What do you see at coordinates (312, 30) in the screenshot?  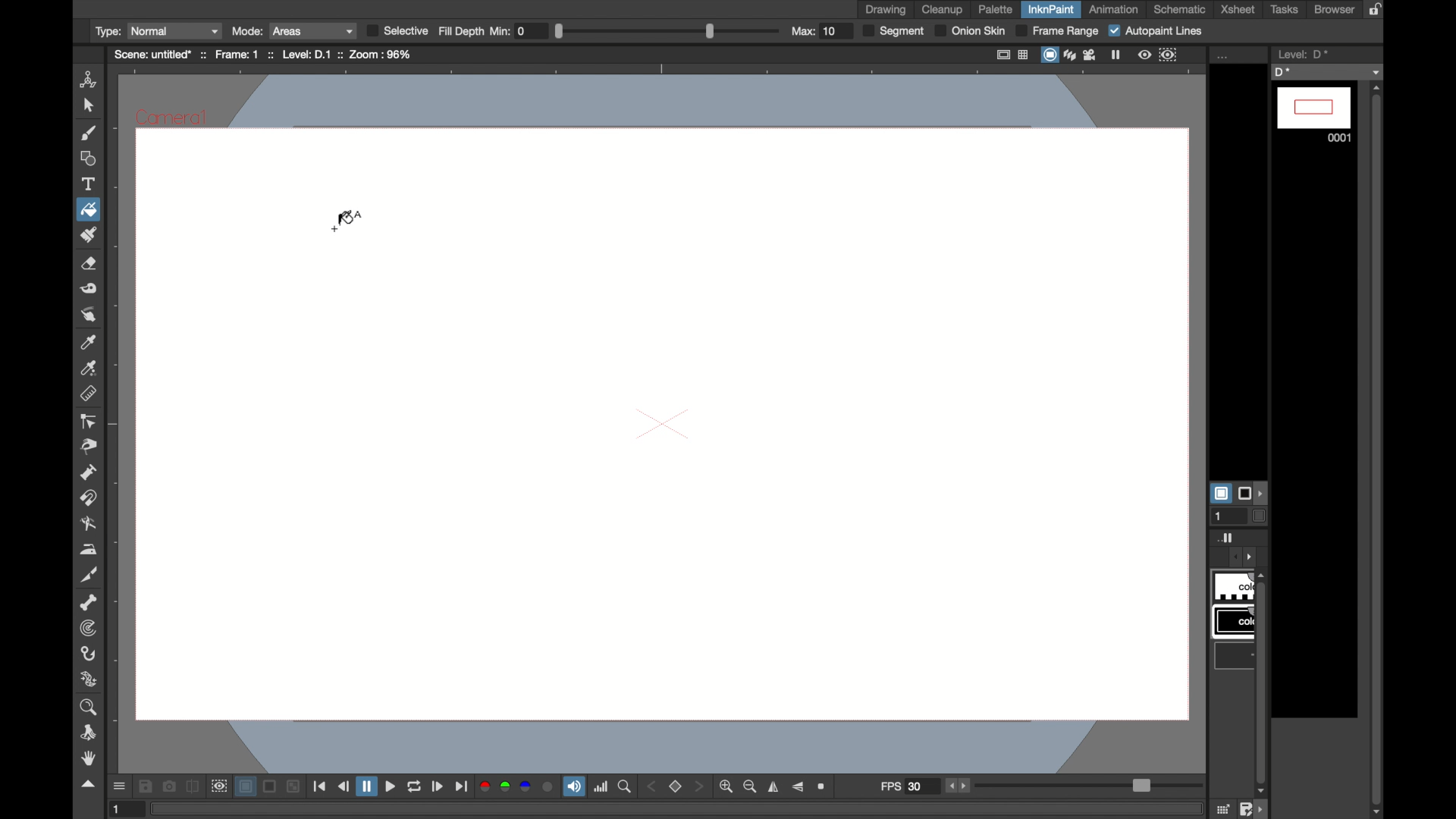 I see `Areas` at bounding box center [312, 30].